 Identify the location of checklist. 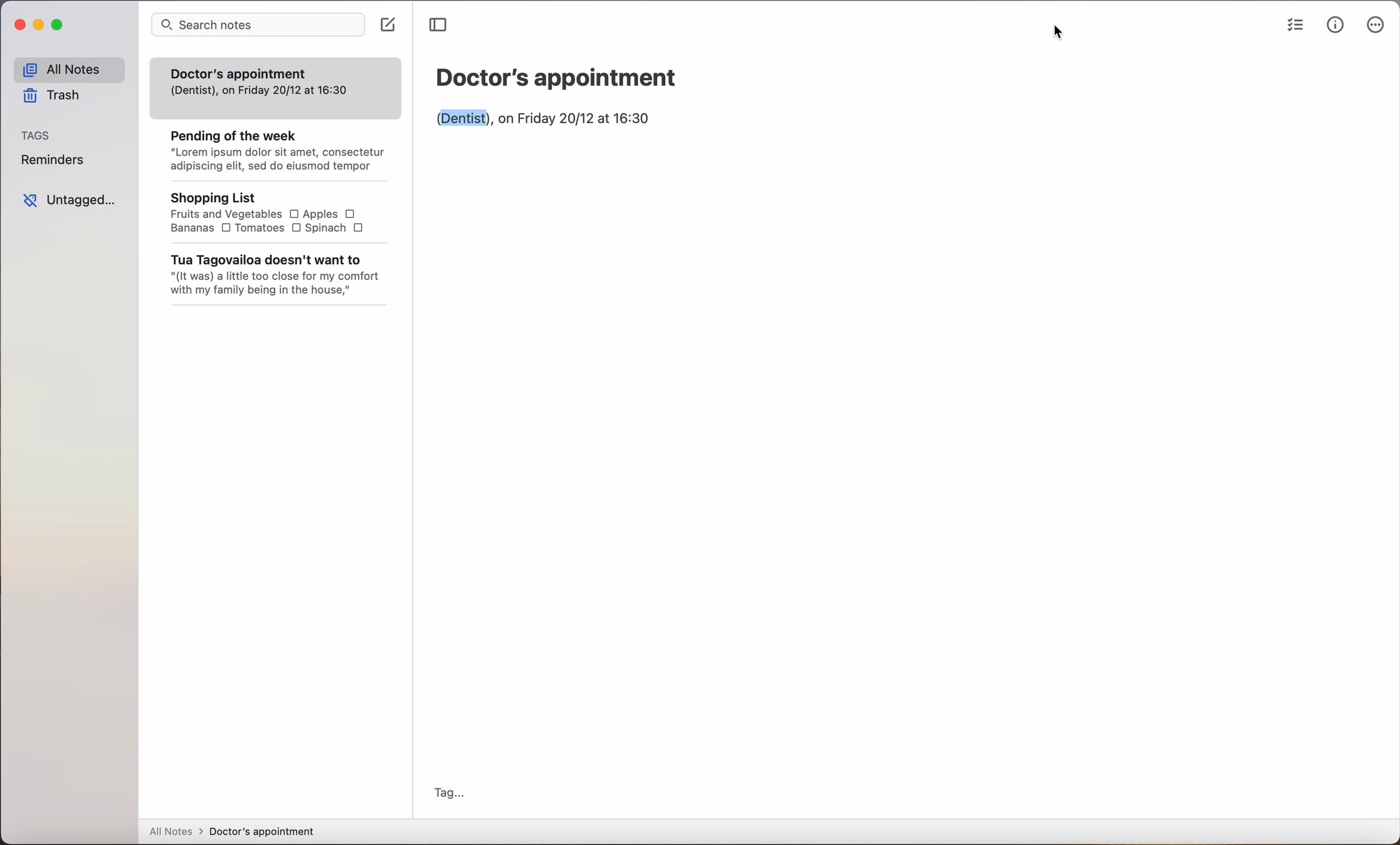
(1297, 23).